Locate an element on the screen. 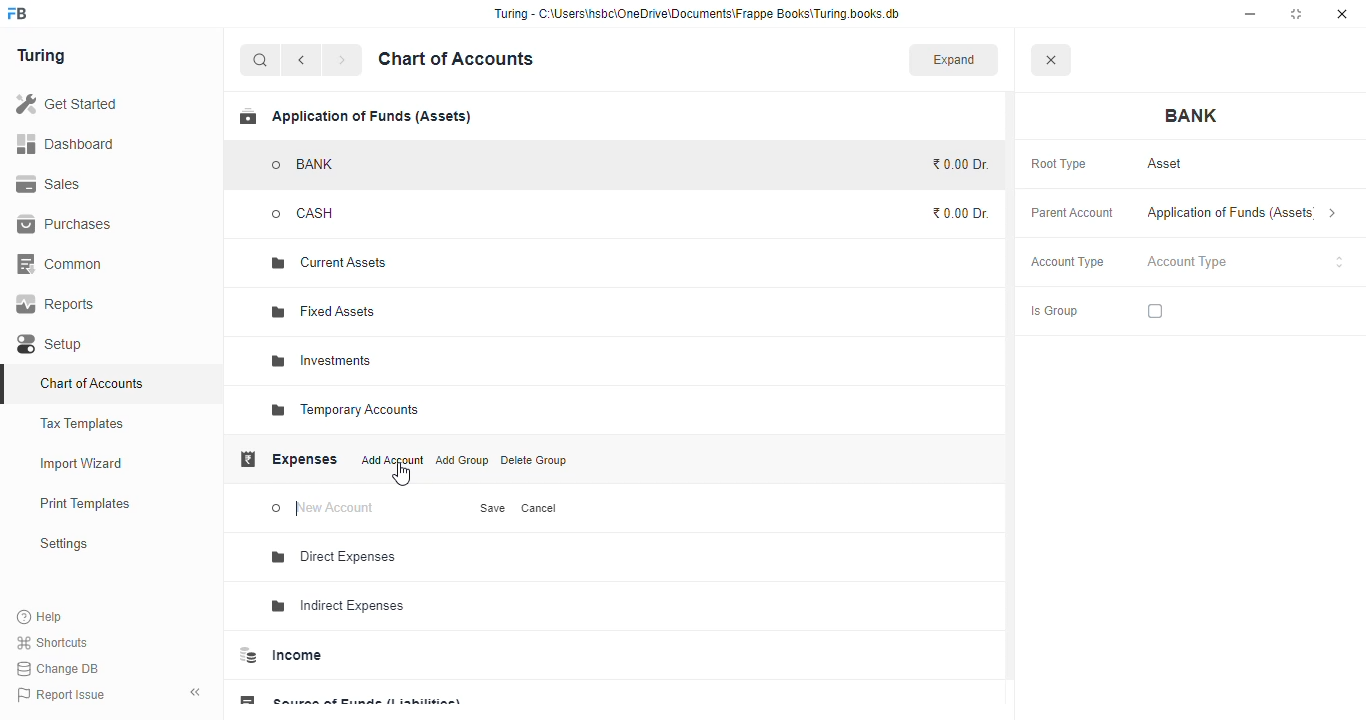 The height and width of the screenshot is (720, 1366). ₹0.00 Dr. is located at coordinates (960, 213).